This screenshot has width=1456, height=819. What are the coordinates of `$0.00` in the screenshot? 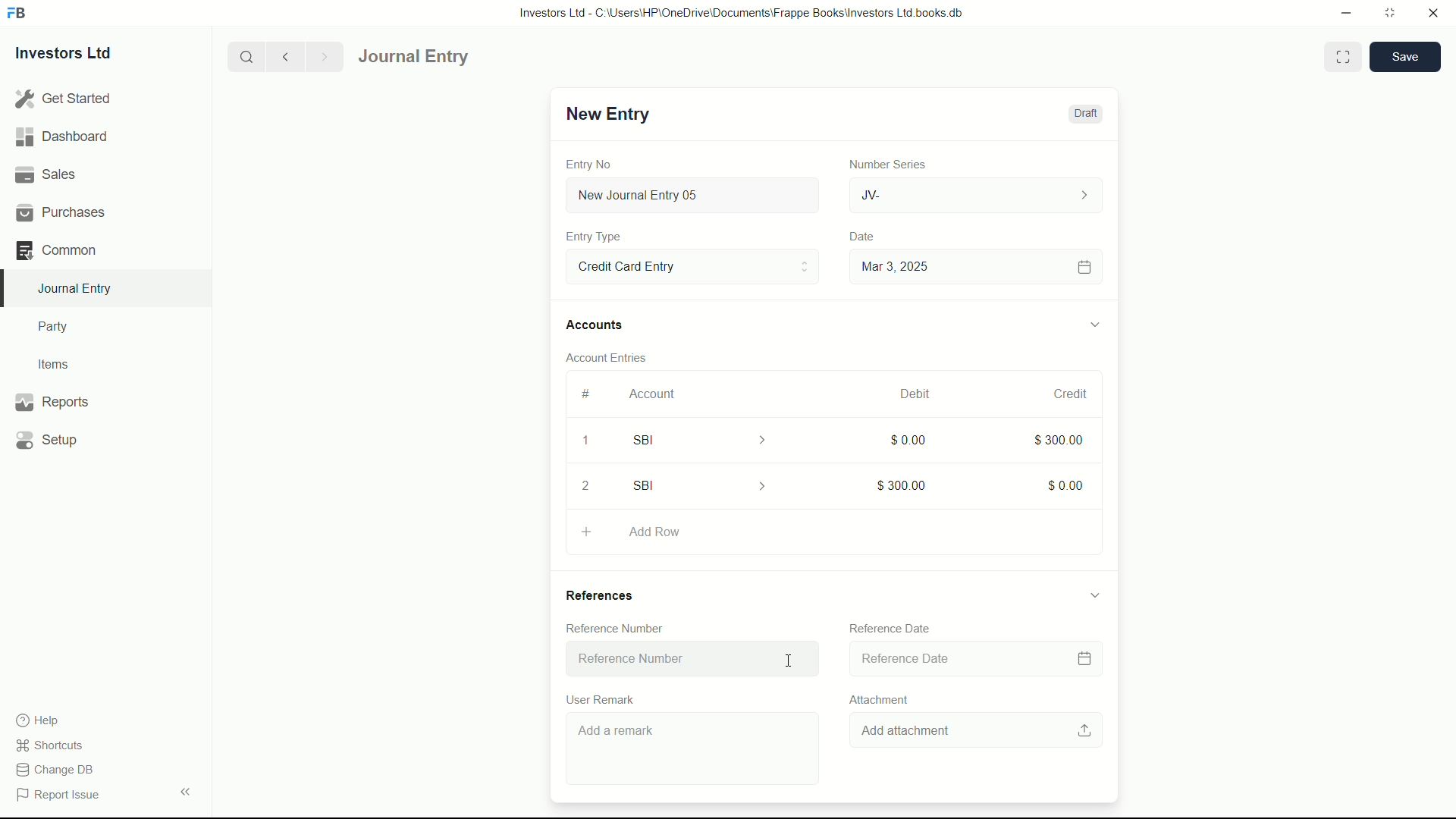 It's located at (1064, 484).